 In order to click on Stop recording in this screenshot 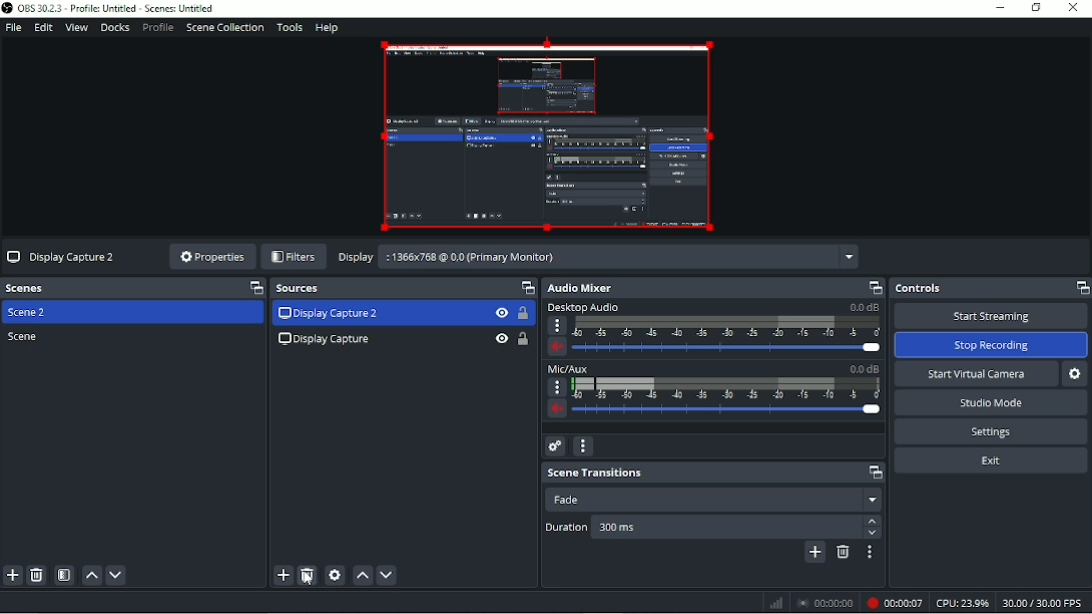, I will do `click(826, 602)`.